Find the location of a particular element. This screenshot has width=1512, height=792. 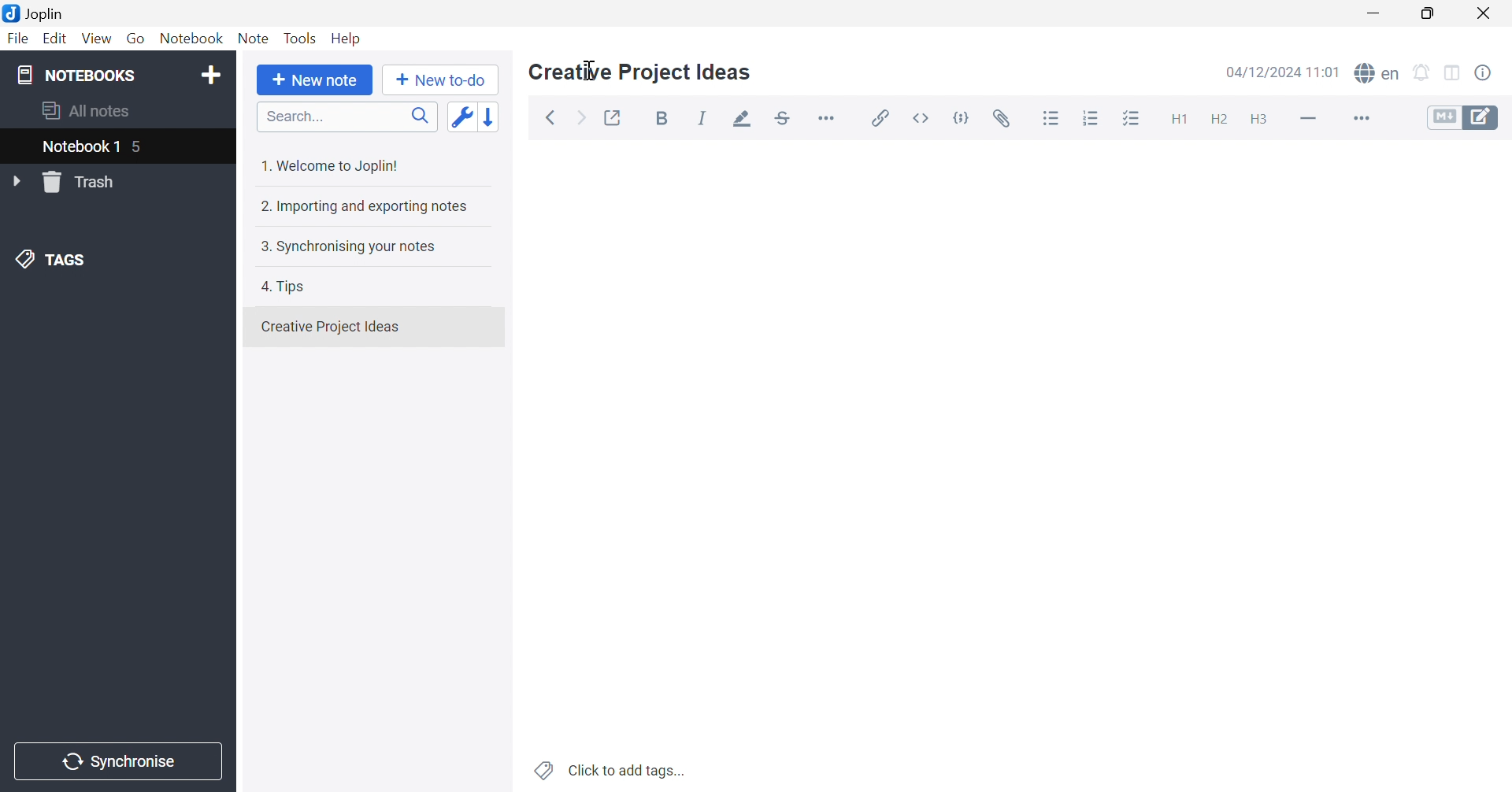

Add notebook is located at coordinates (211, 73).